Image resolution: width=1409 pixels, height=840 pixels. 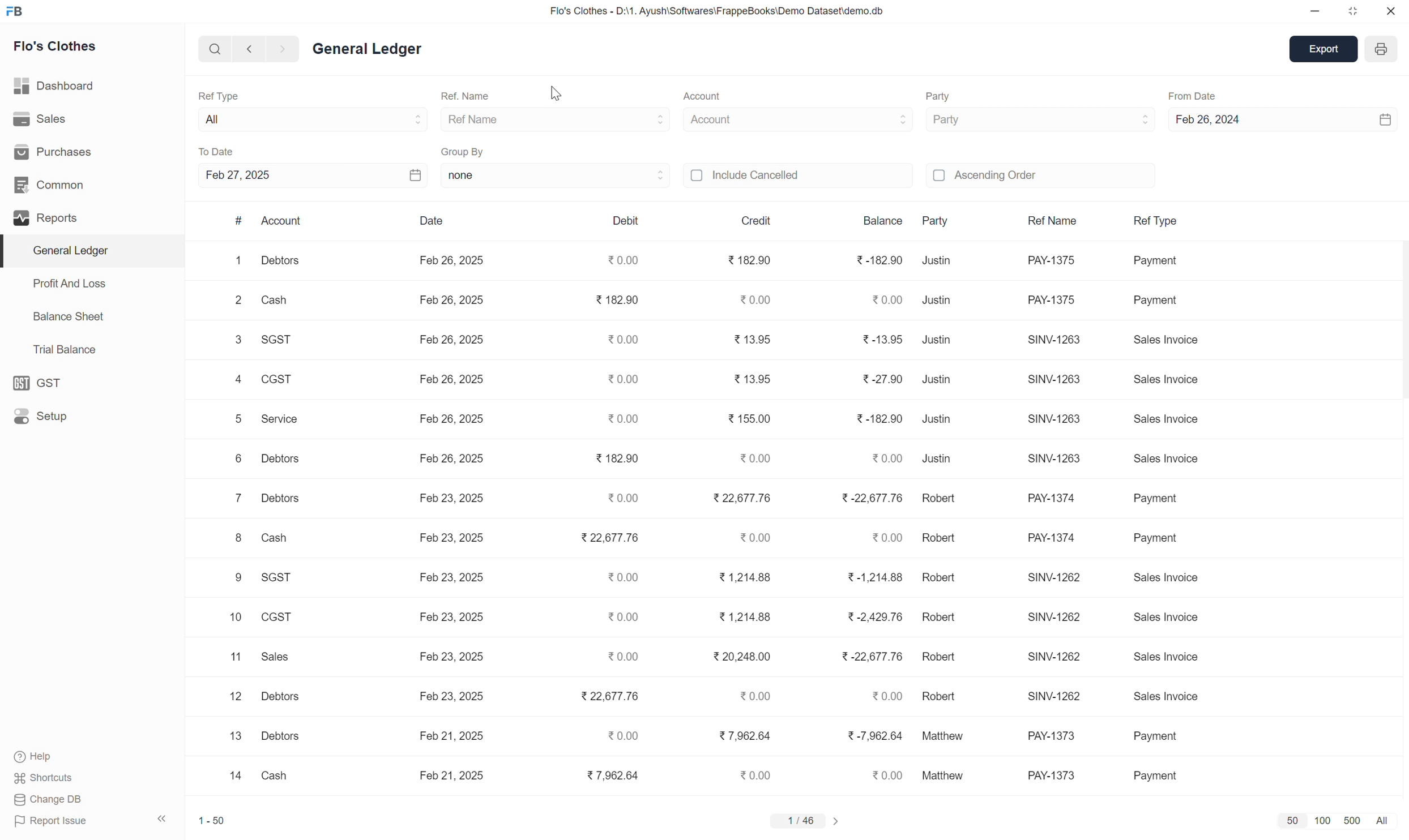 I want to click on feb 26, 2025, so click(x=447, y=659).